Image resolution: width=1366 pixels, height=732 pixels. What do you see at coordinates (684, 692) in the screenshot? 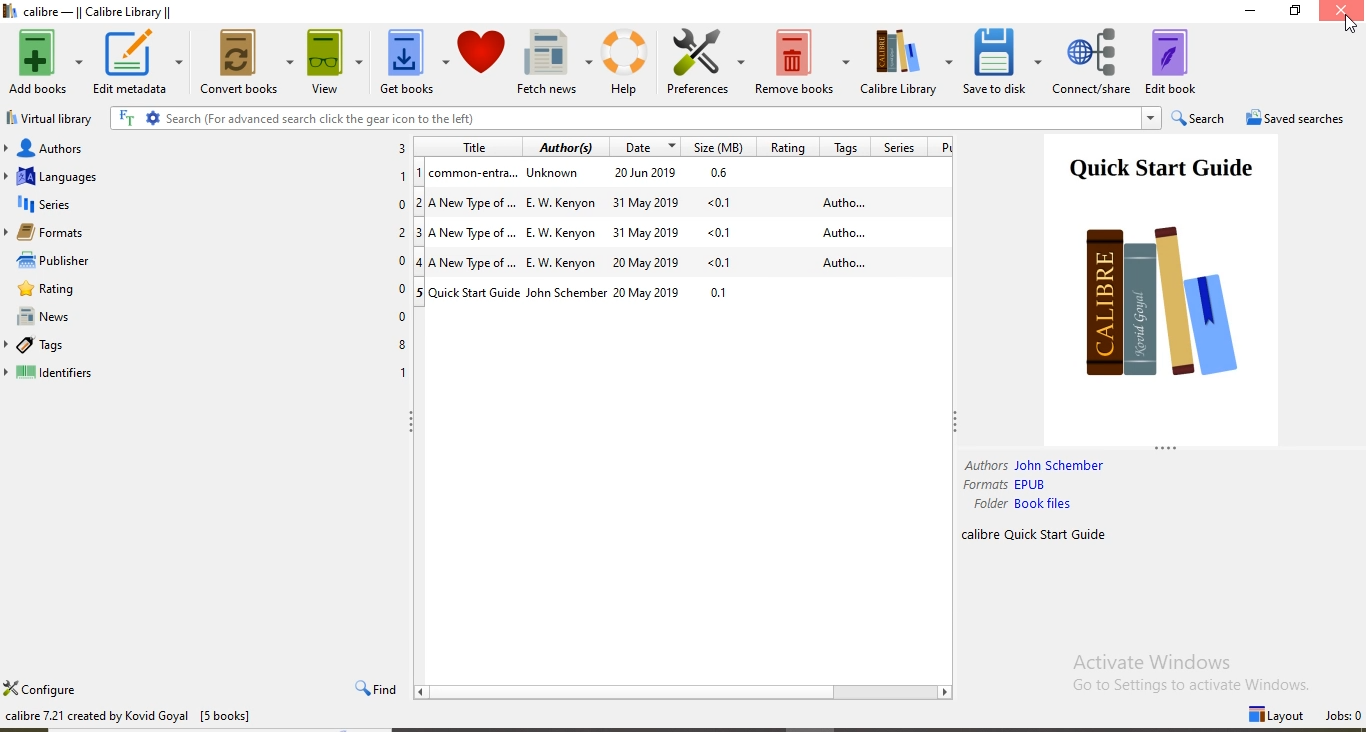
I see `Scroll Bar` at bounding box center [684, 692].